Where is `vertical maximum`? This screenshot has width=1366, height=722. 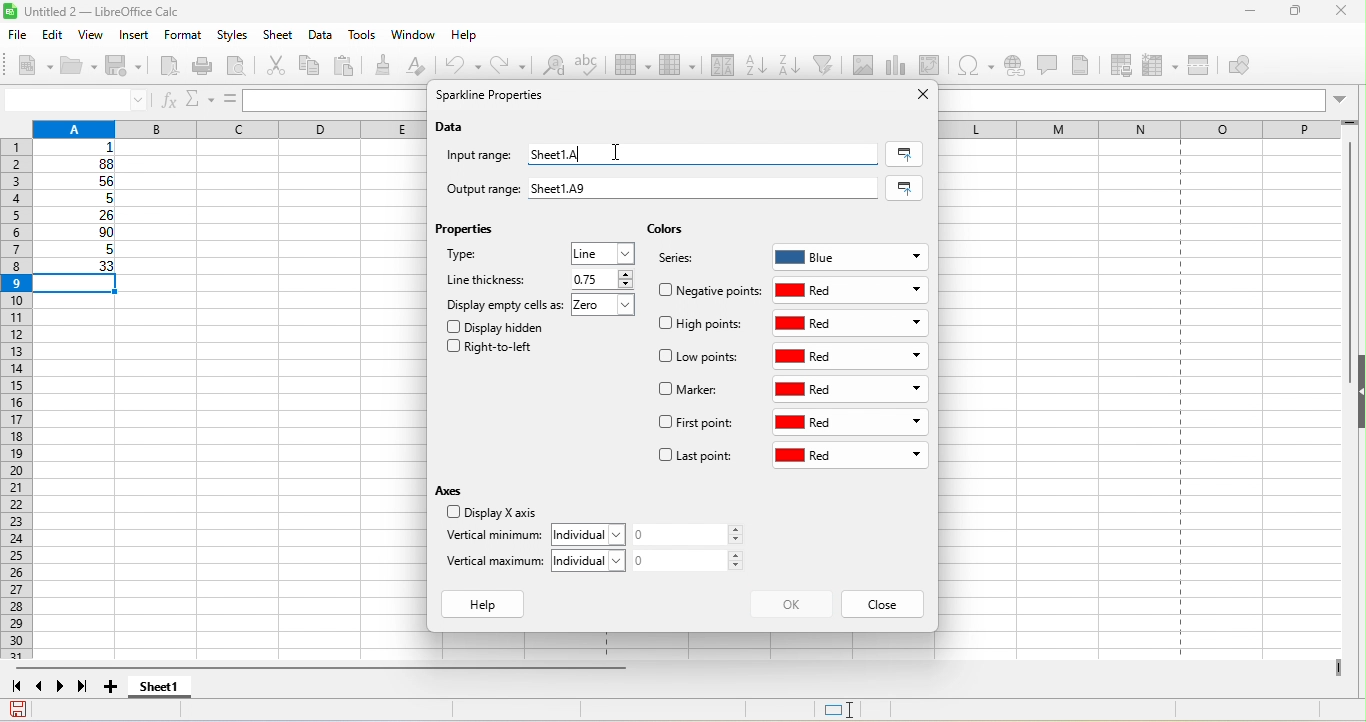
vertical maximum is located at coordinates (496, 565).